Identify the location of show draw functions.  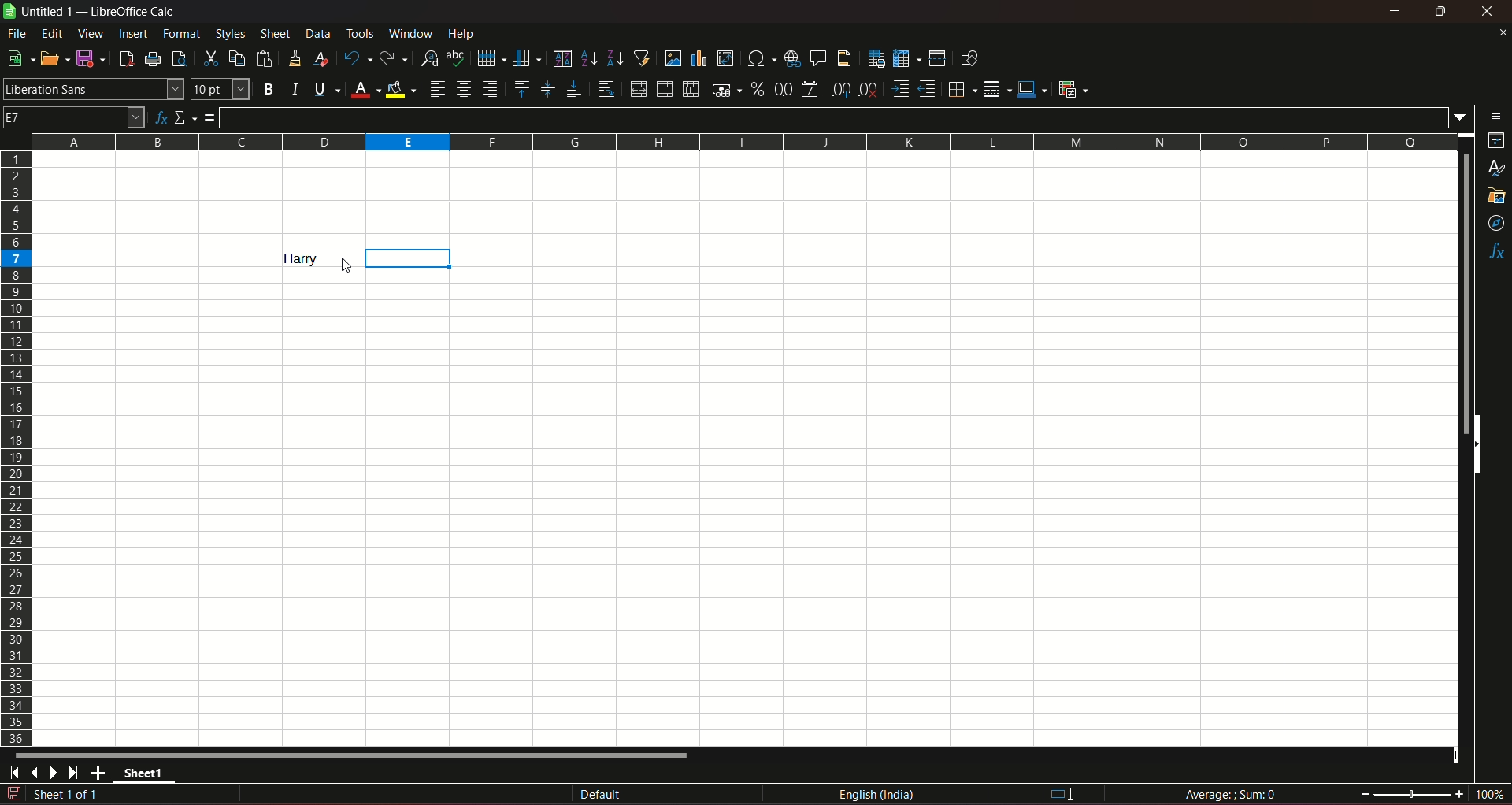
(969, 57).